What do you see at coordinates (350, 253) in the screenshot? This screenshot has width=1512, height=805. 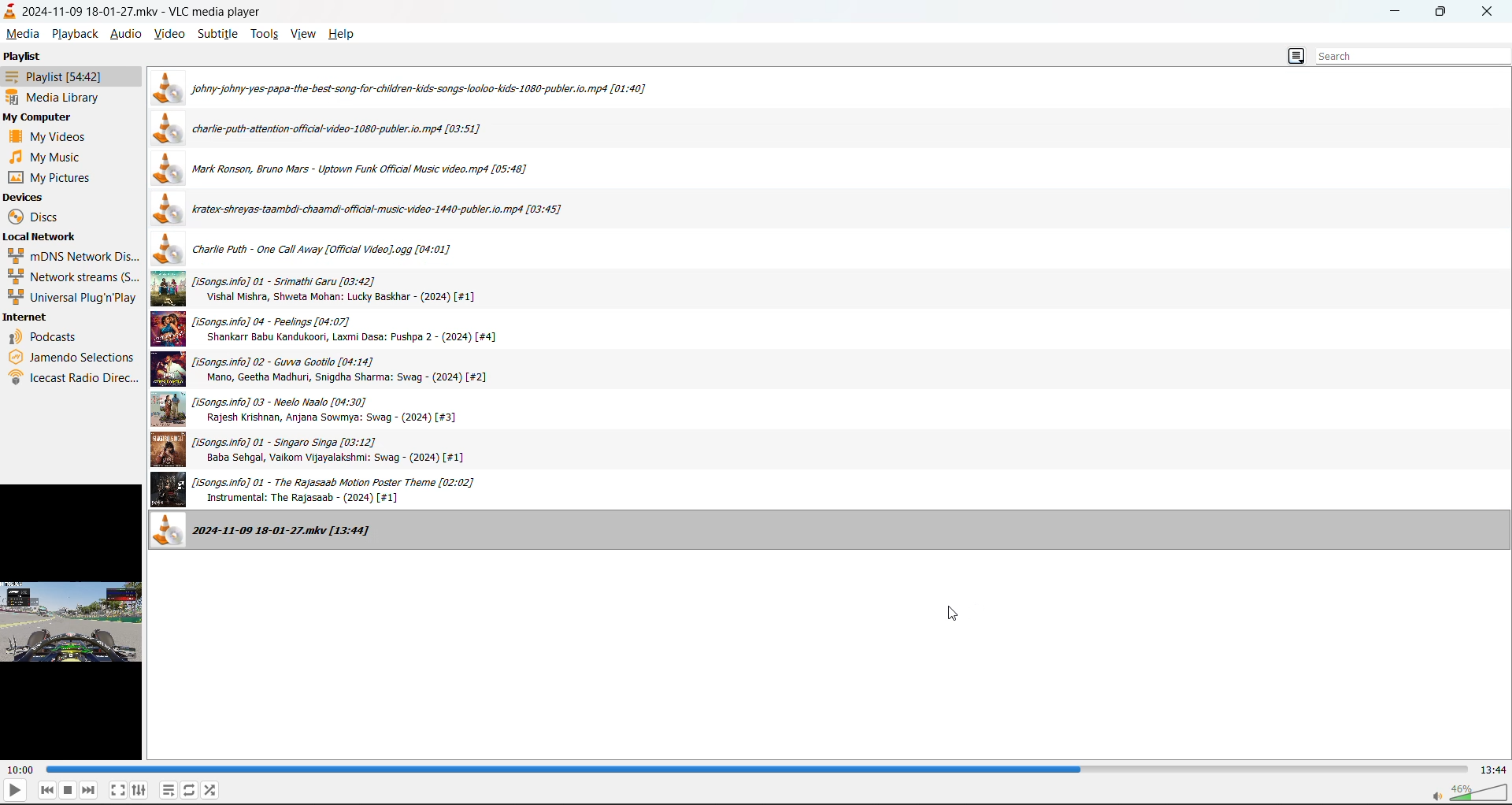 I see `tracks without duration` at bounding box center [350, 253].